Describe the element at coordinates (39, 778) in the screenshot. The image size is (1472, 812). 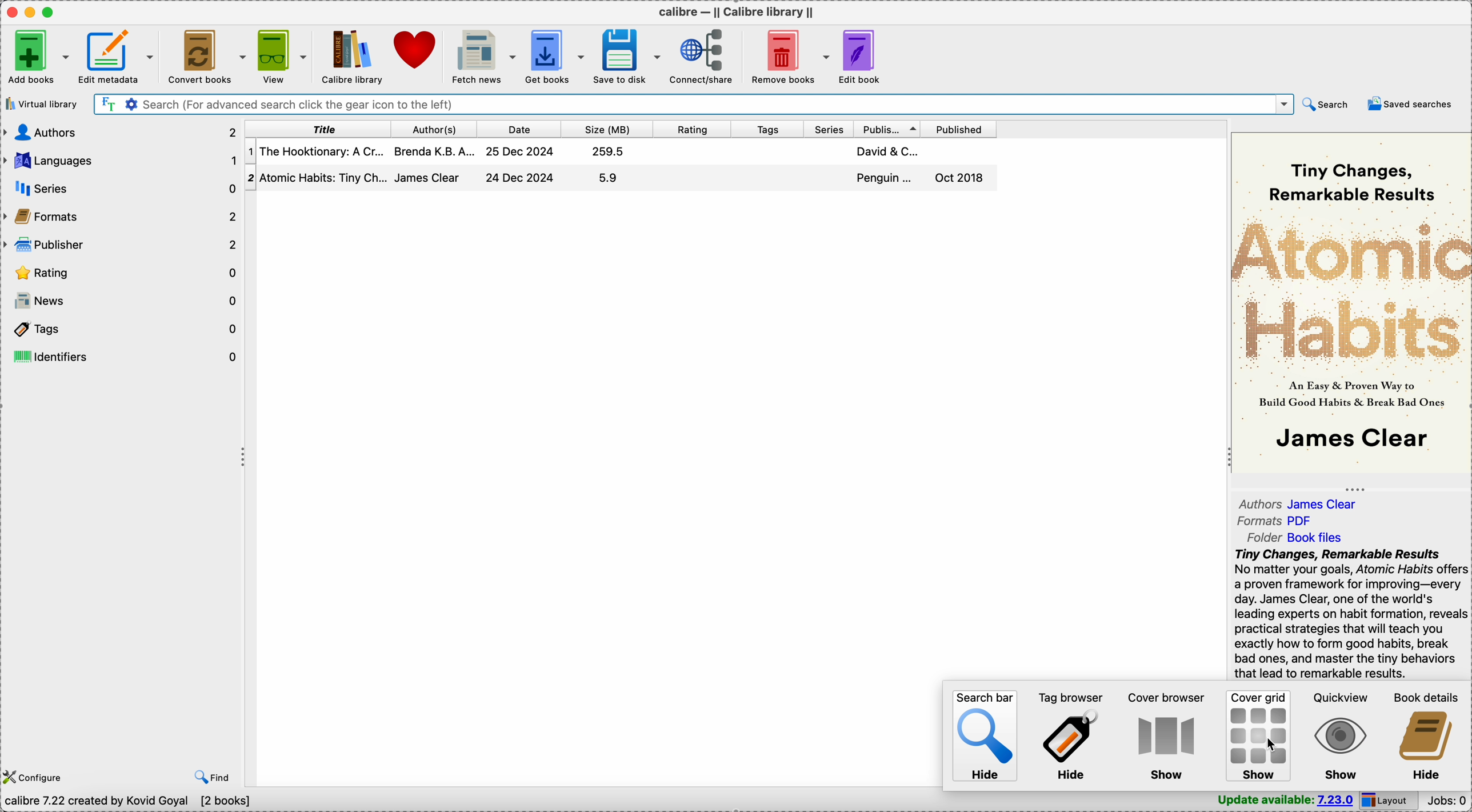
I see `configure` at that location.